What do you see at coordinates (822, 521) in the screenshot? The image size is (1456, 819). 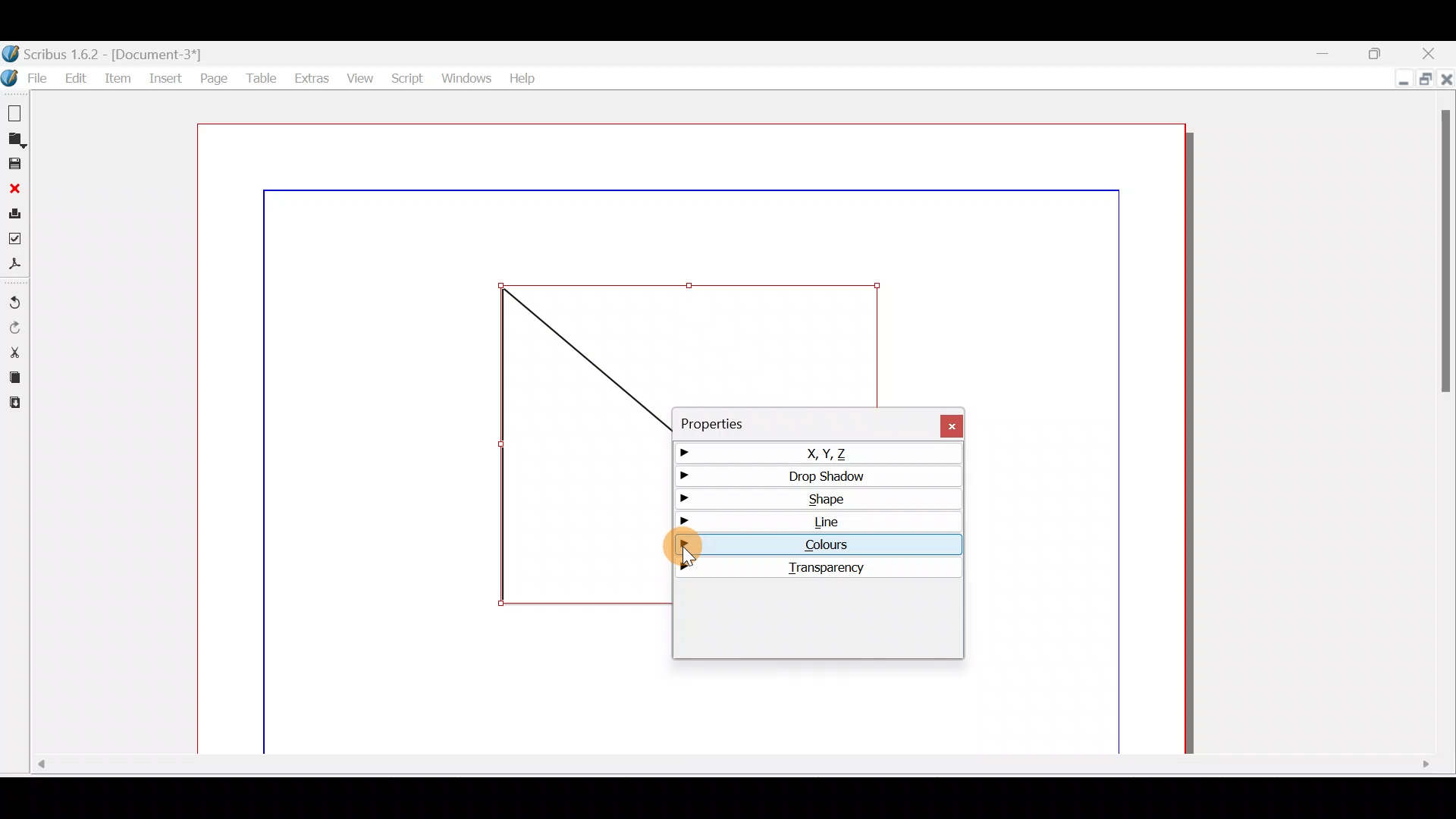 I see `Line` at bounding box center [822, 521].